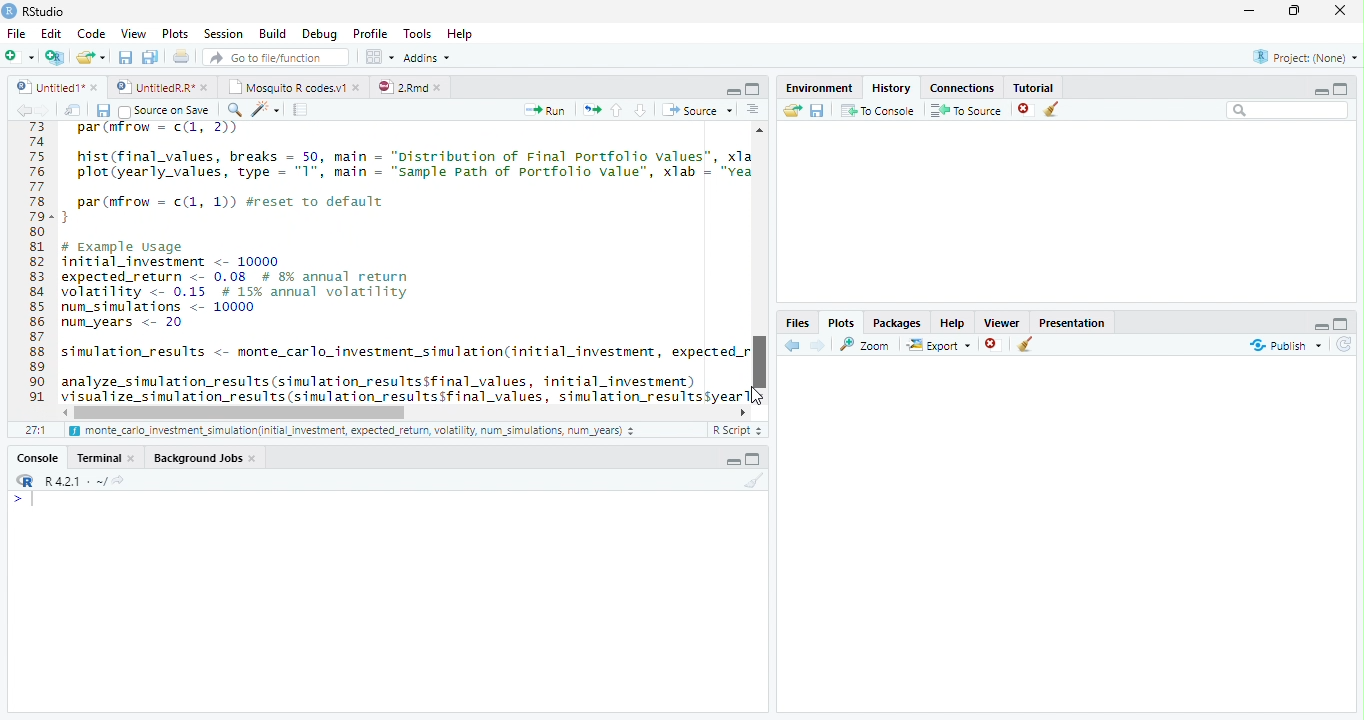  What do you see at coordinates (387, 601) in the screenshot?
I see `Console` at bounding box center [387, 601].